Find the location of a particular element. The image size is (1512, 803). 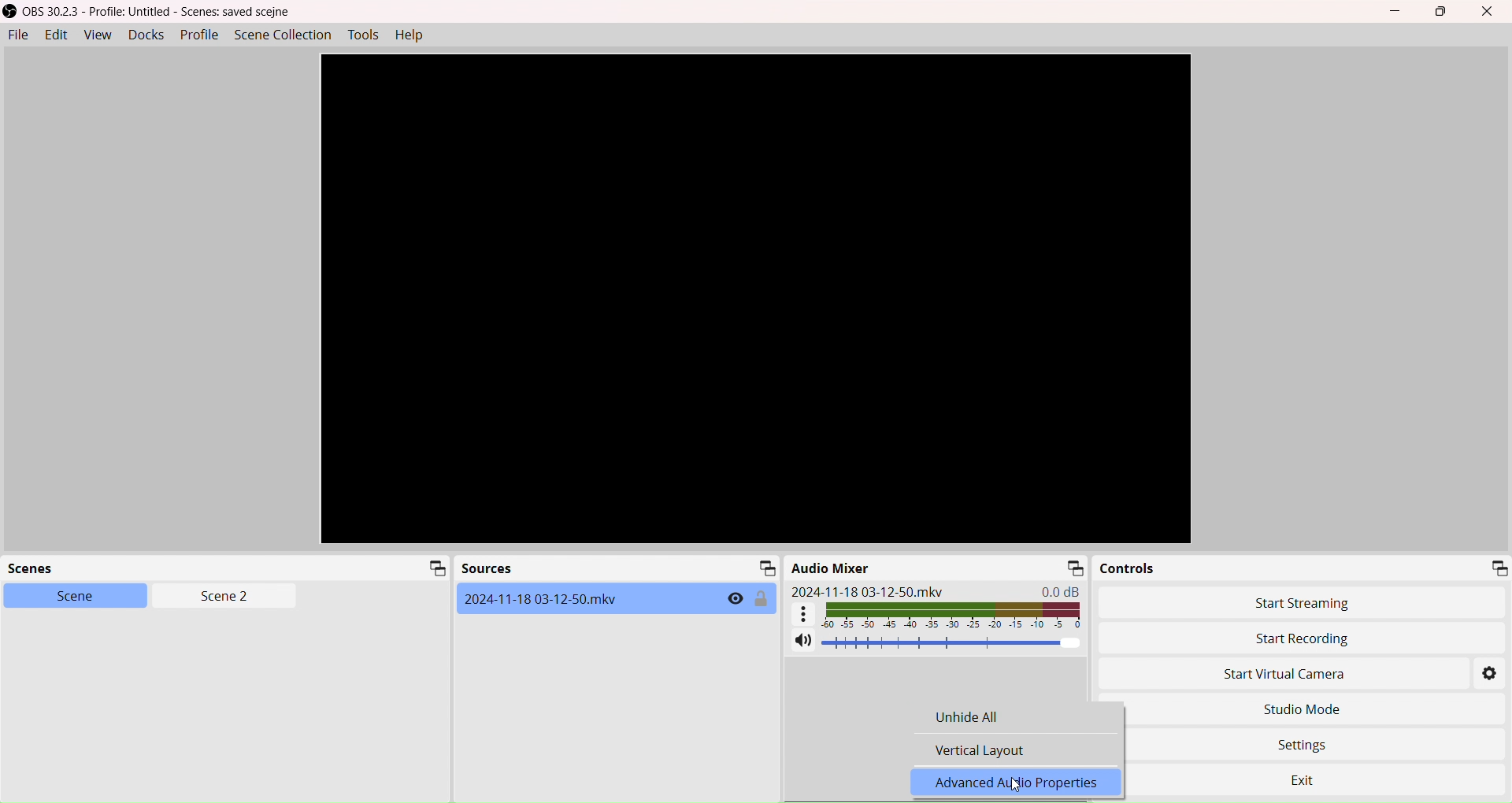

Expand is located at coordinates (1073, 568).